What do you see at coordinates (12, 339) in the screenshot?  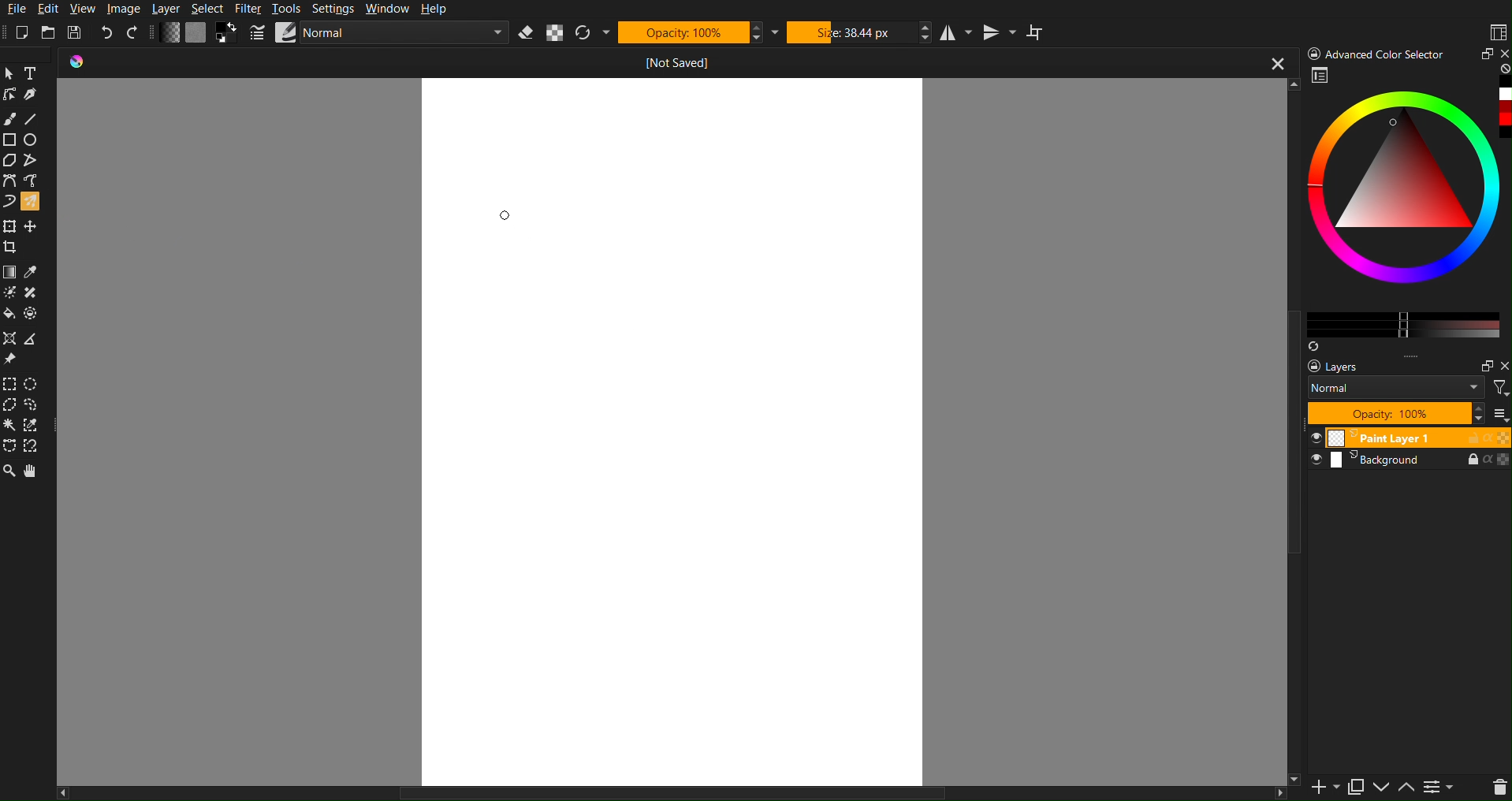 I see `Assisstant Tool` at bounding box center [12, 339].